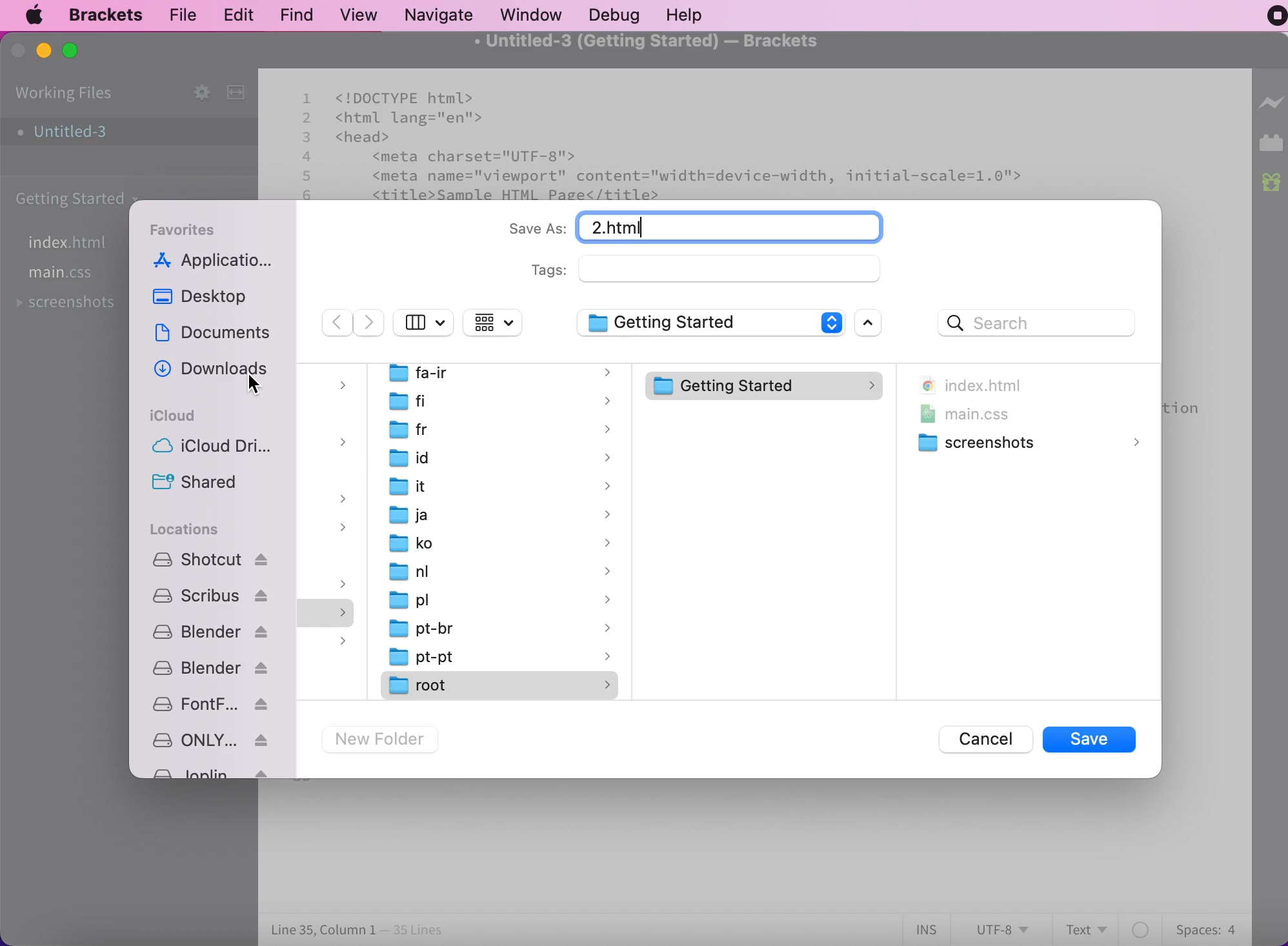 The image size is (1288, 946). Describe the element at coordinates (186, 230) in the screenshot. I see `favorites` at that location.